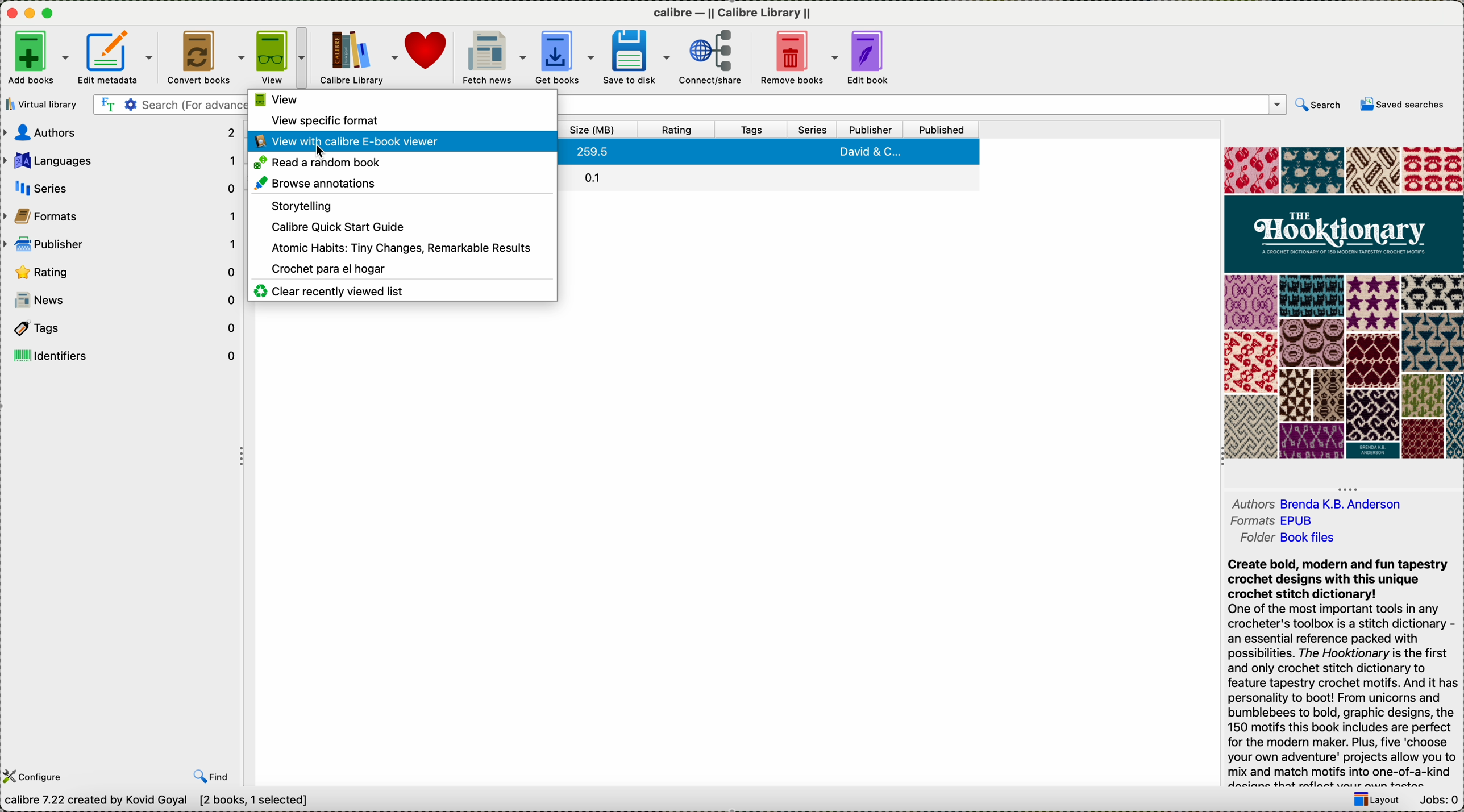  Describe the element at coordinates (1275, 522) in the screenshot. I see `formats` at that location.